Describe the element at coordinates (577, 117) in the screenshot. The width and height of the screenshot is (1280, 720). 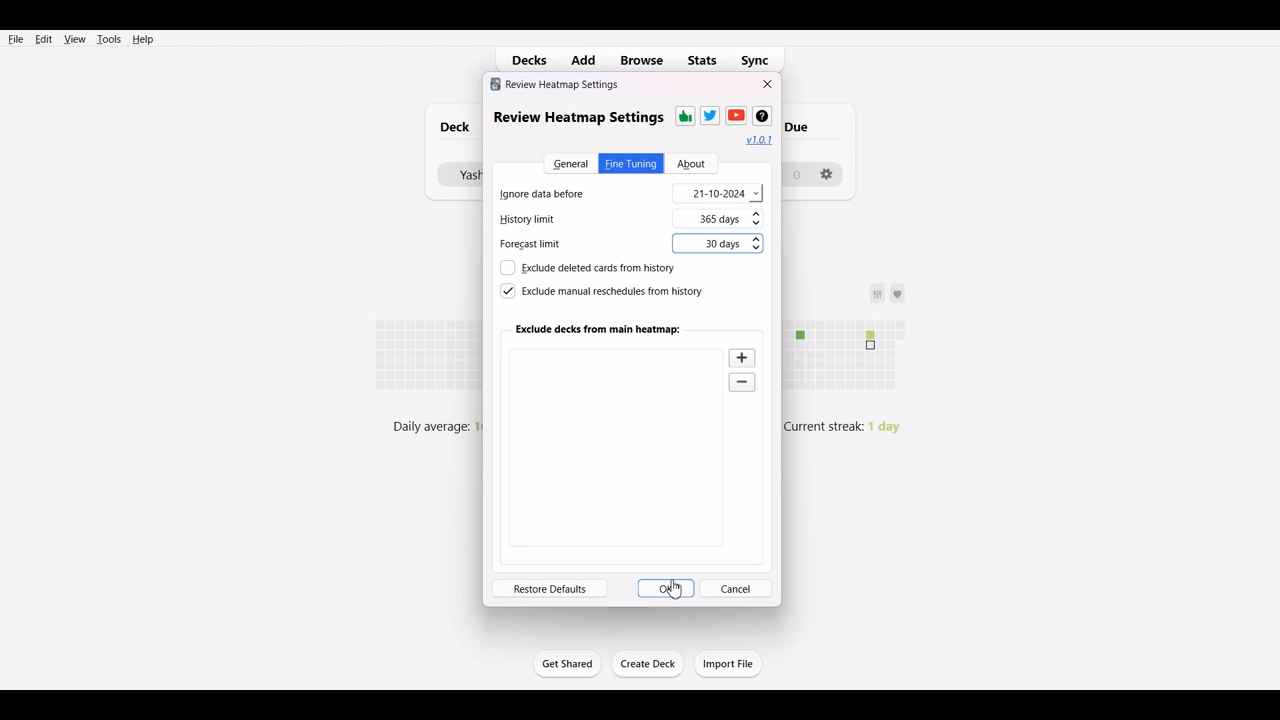
I see `review heatmap settings` at that location.